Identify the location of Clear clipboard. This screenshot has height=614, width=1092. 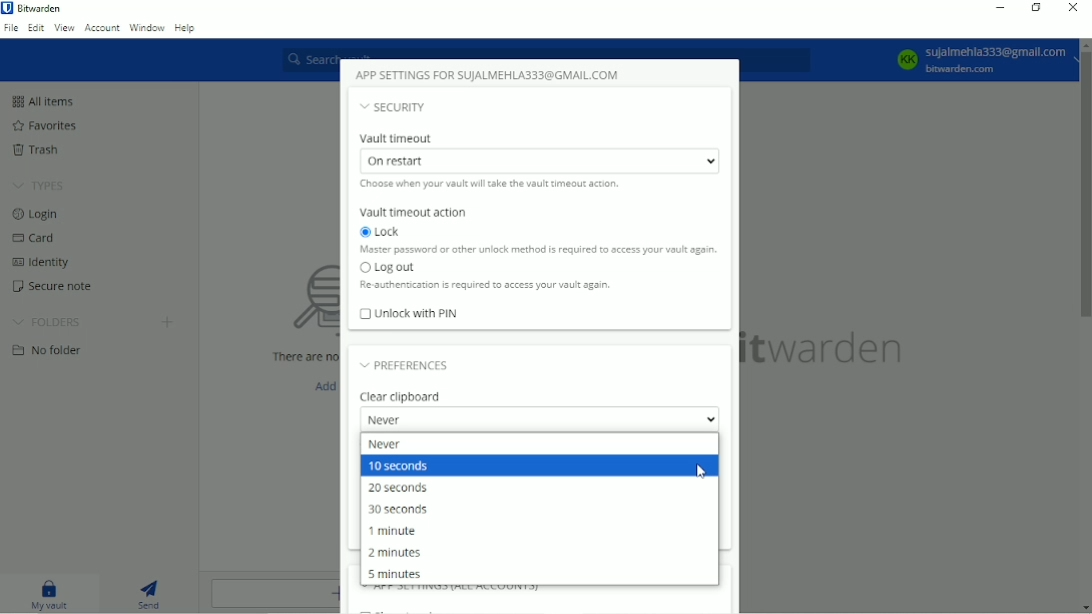
(403, 396).